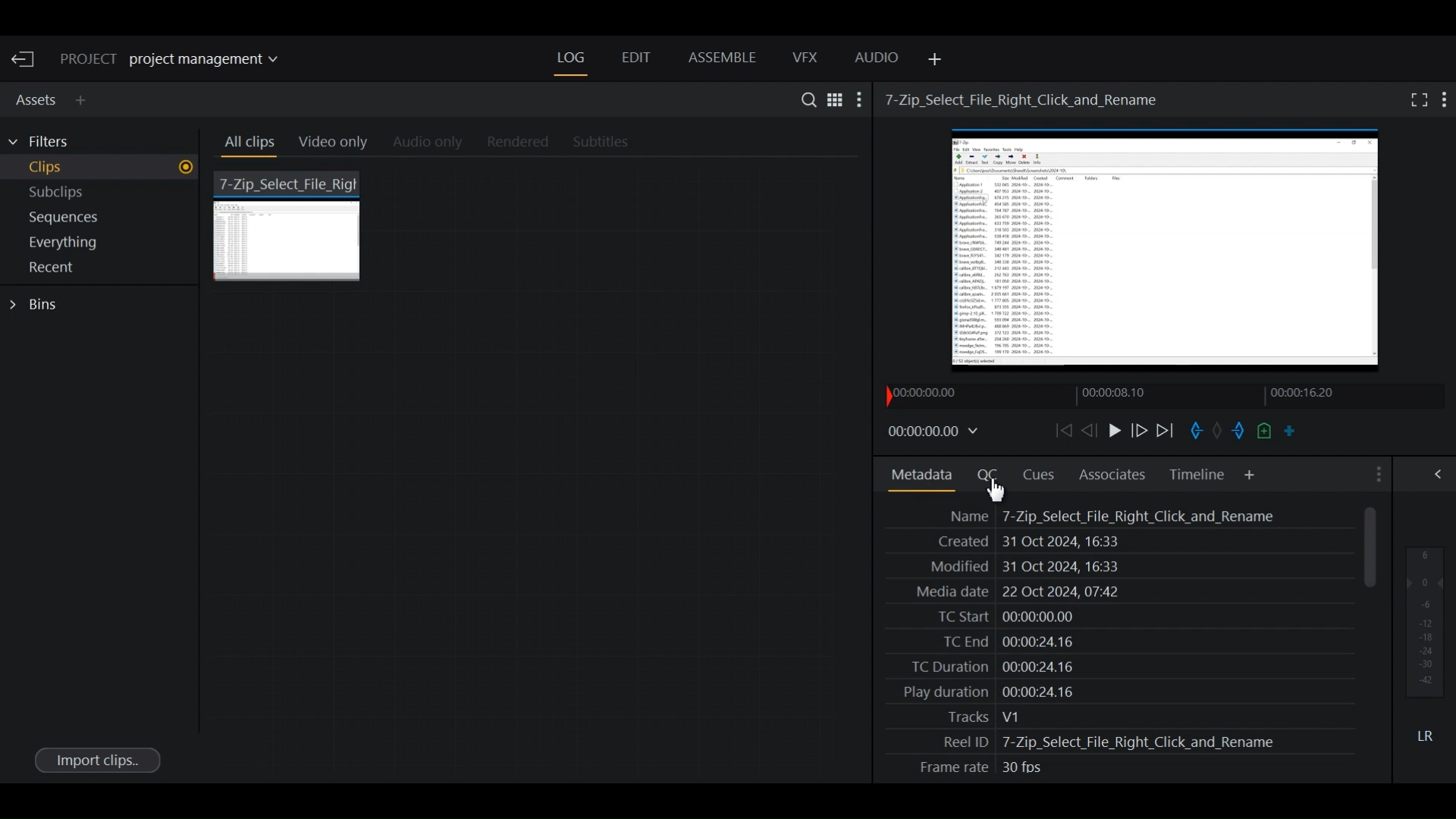  I want to click on Frame rate, so click(1090, 767).